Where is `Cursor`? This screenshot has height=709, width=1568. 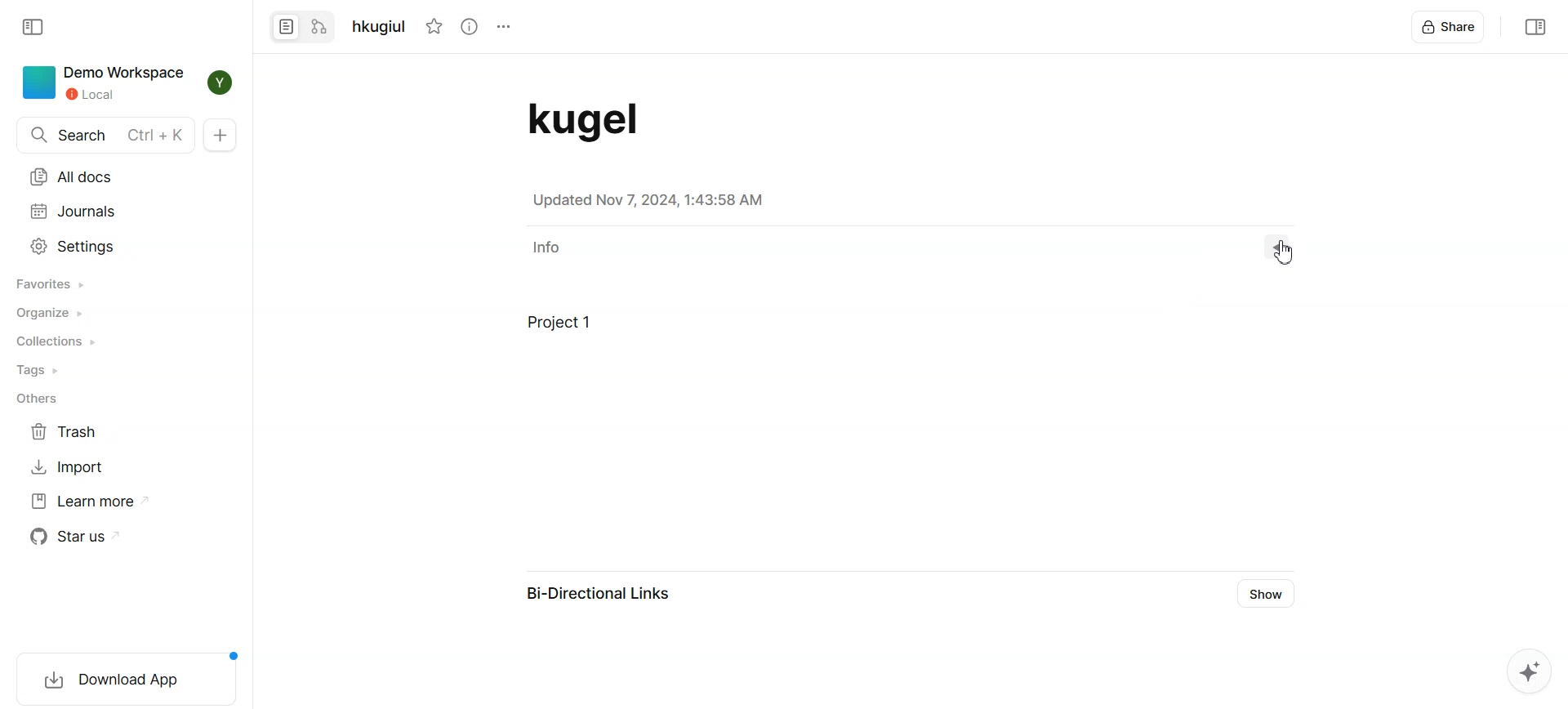
Cursor is located at coordinates (1287, 252).